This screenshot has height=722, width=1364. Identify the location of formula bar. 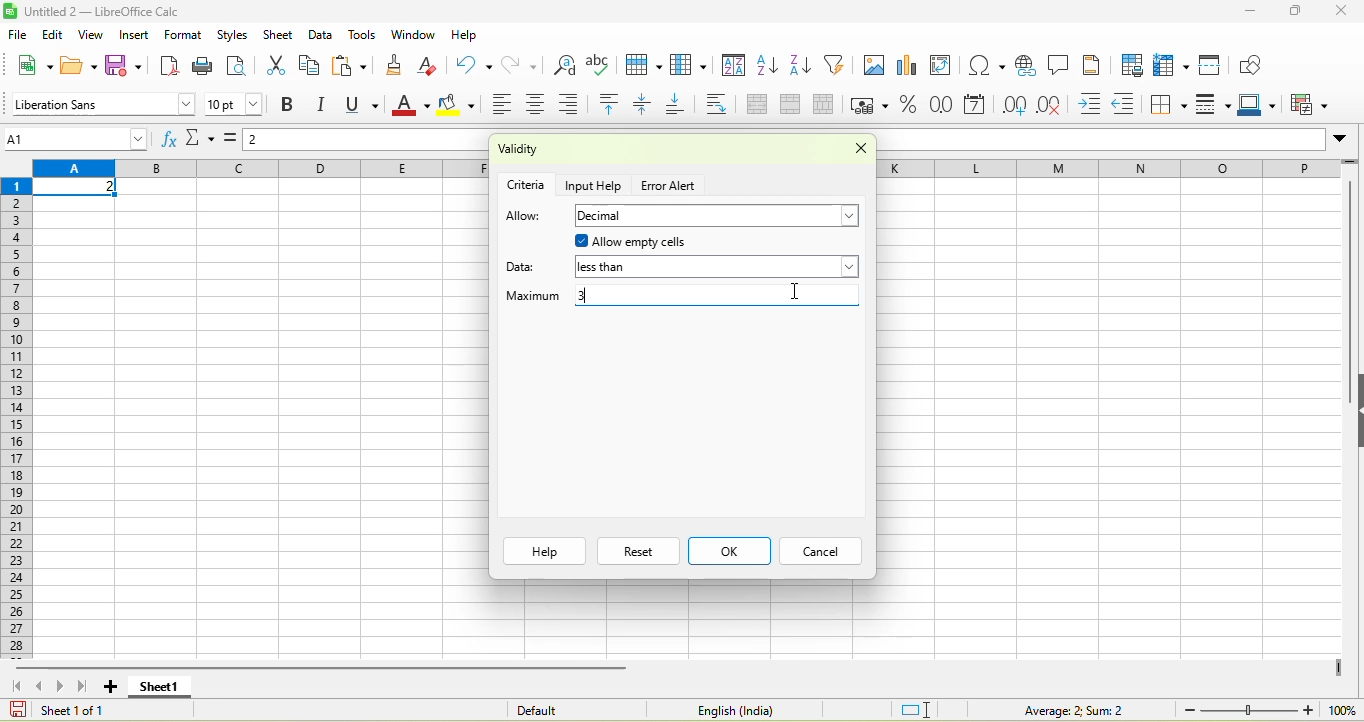
(368, 142).